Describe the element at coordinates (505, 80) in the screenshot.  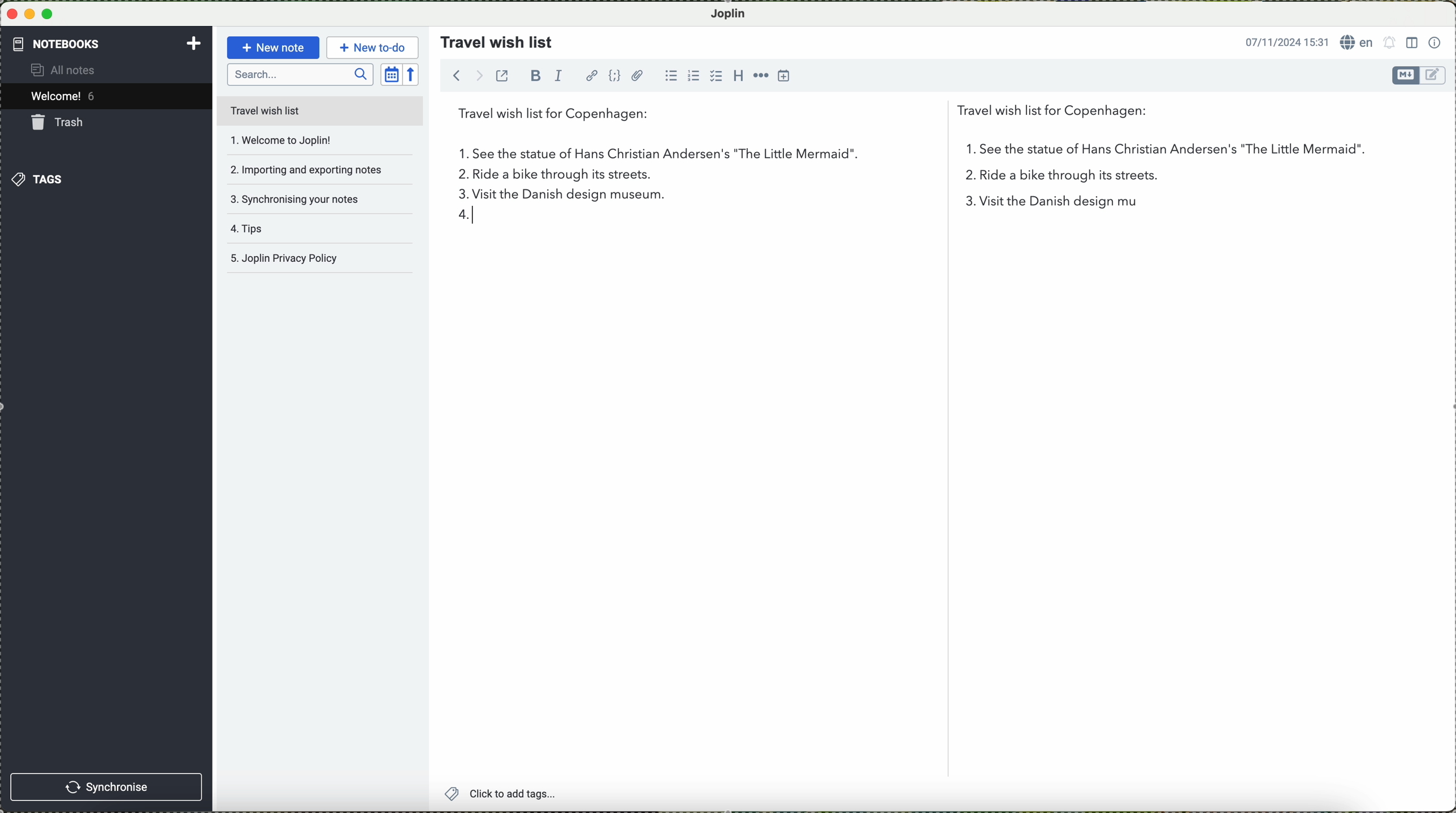
I see `toggle external editing` at that location.